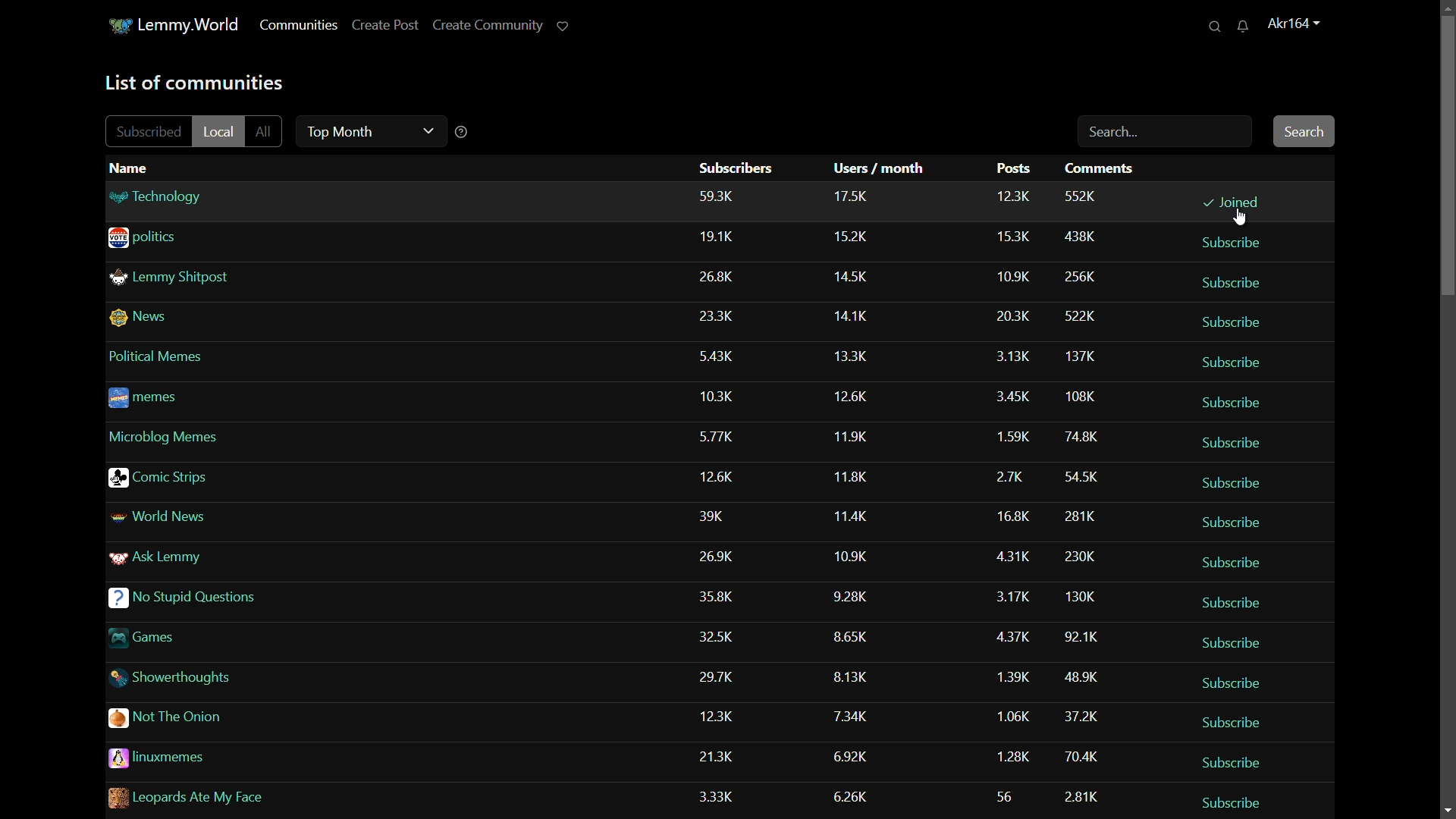 The height and width of the screenshot is (819, 1456). I want to click on help, so click(462, 131).